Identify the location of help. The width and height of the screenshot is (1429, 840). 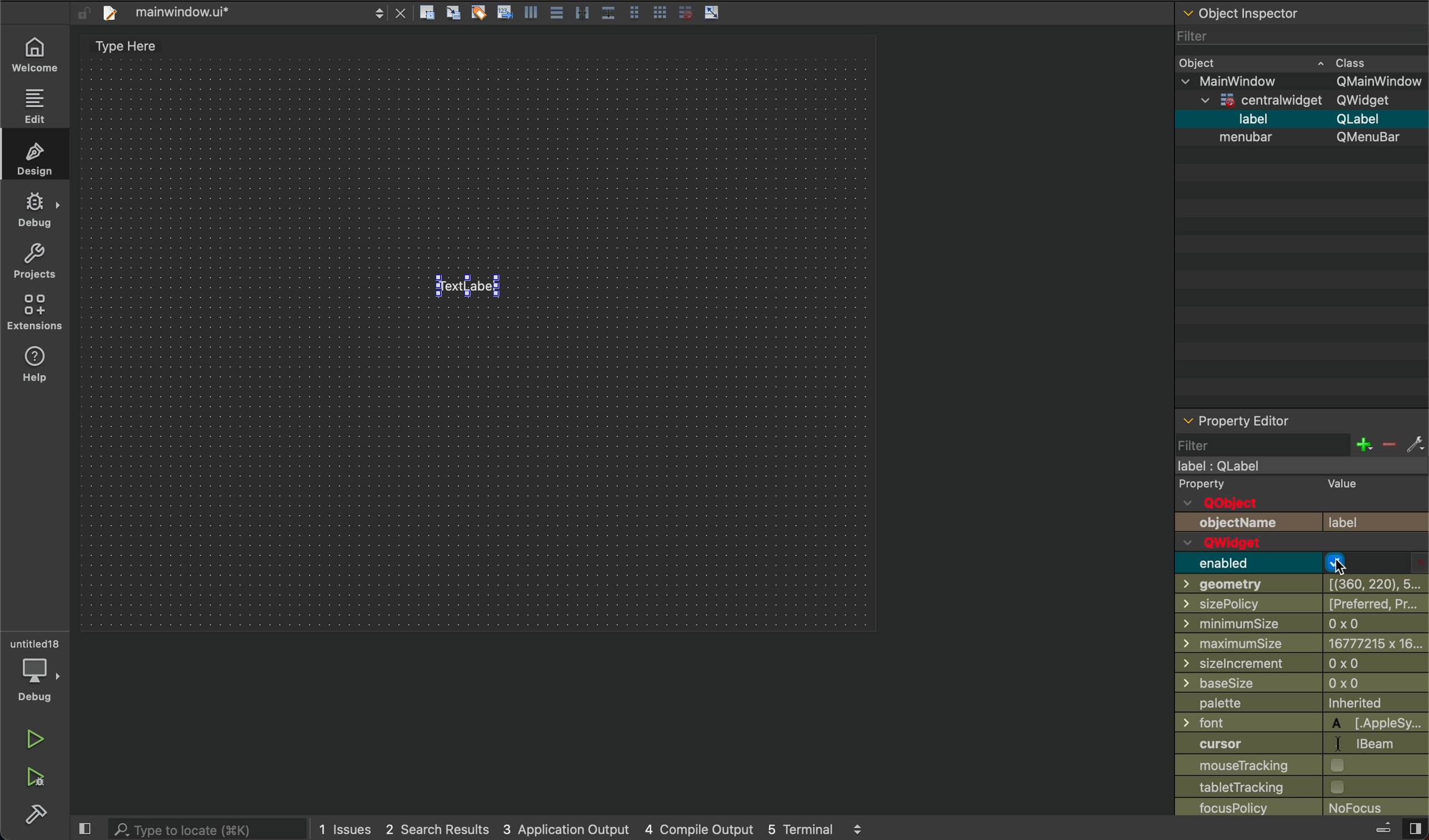
(35, 365).